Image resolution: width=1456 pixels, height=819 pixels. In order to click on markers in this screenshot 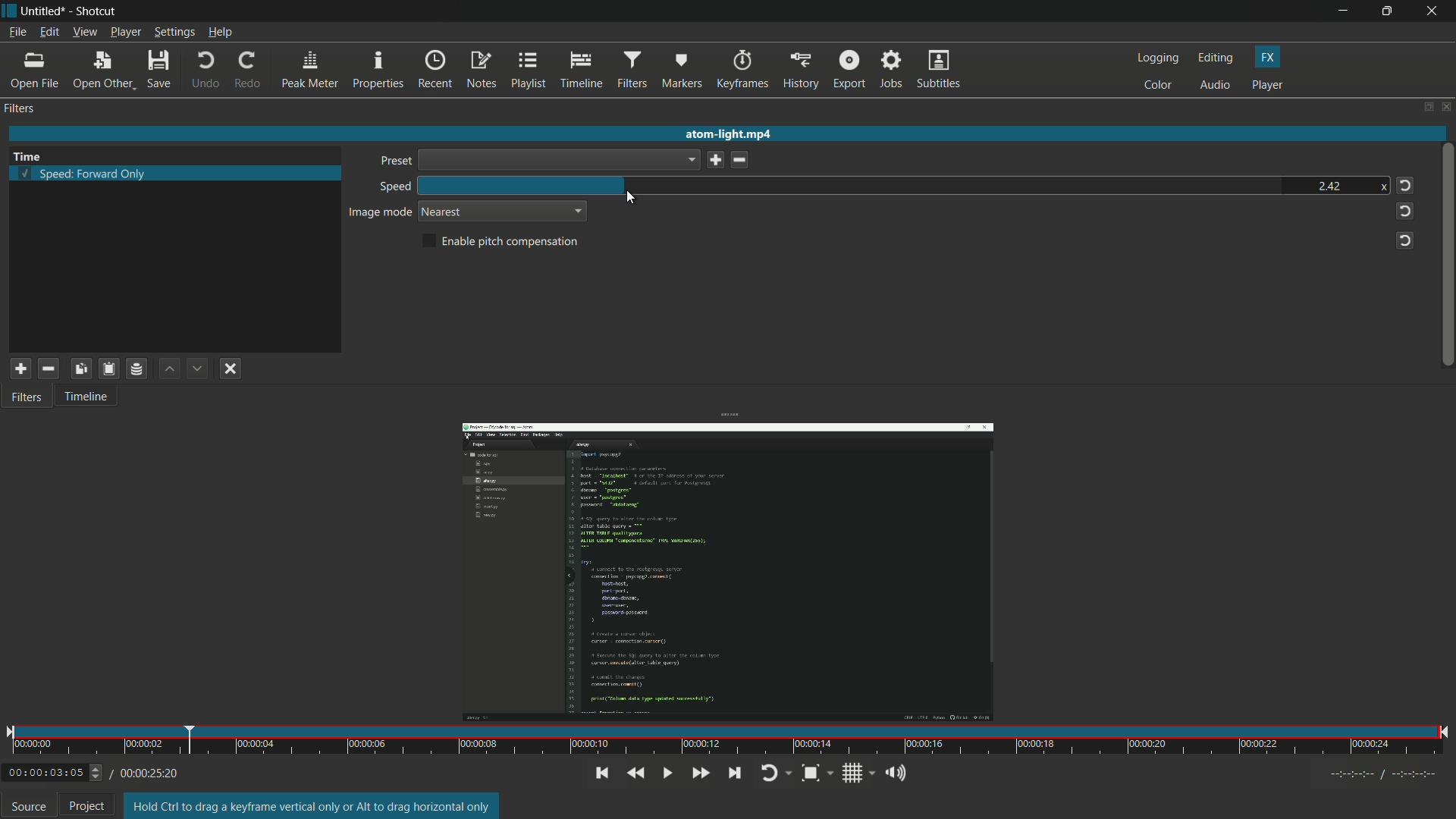, I will do `click(683, 71)`.